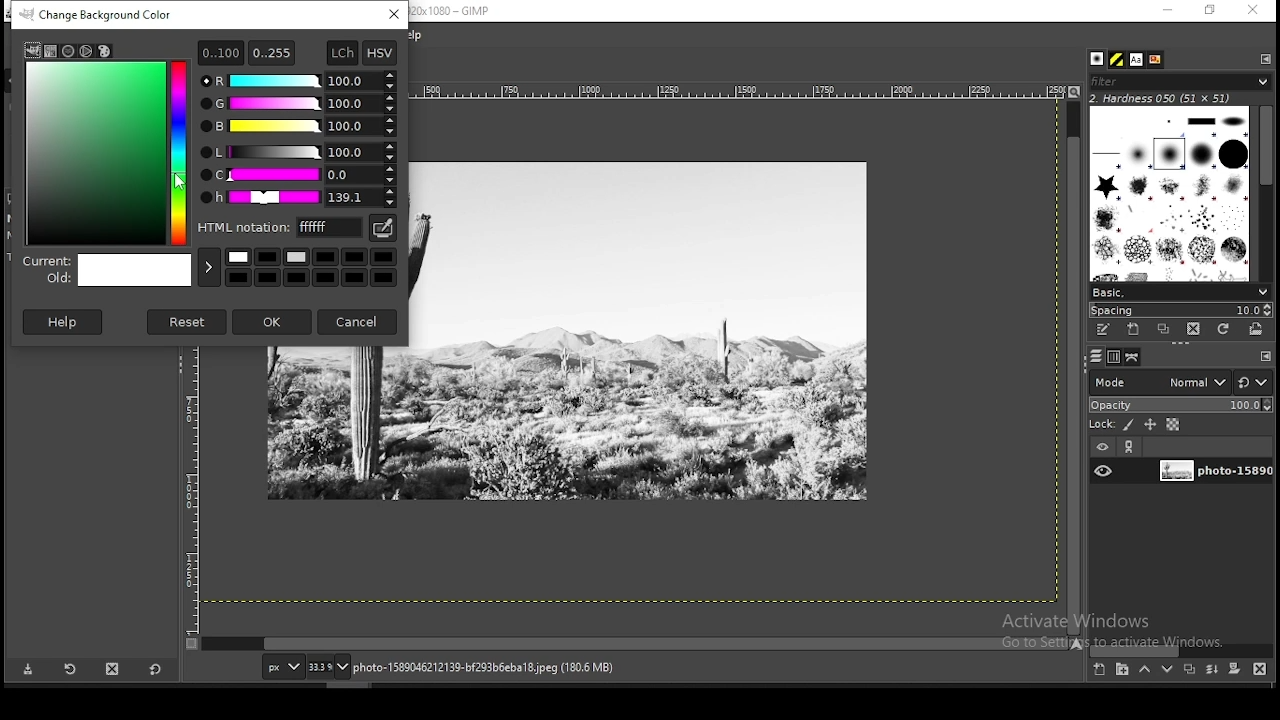  Describe the element at coordinates (1180, 81) in the screenshot. I see `filter brushes` at that location.